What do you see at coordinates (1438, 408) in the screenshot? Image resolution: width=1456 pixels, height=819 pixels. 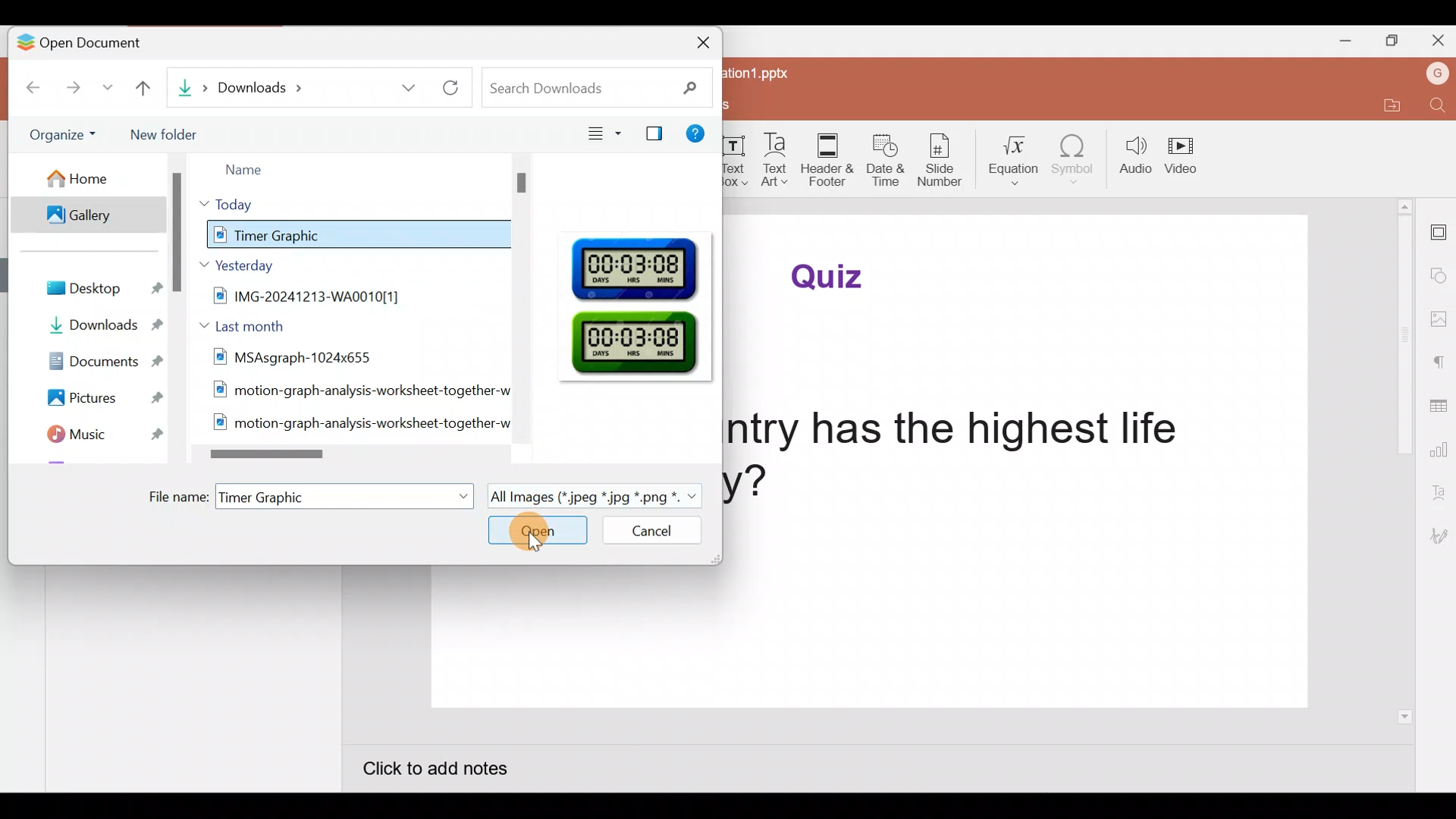 I see `Table settings` at bounding box center [1438, 408].